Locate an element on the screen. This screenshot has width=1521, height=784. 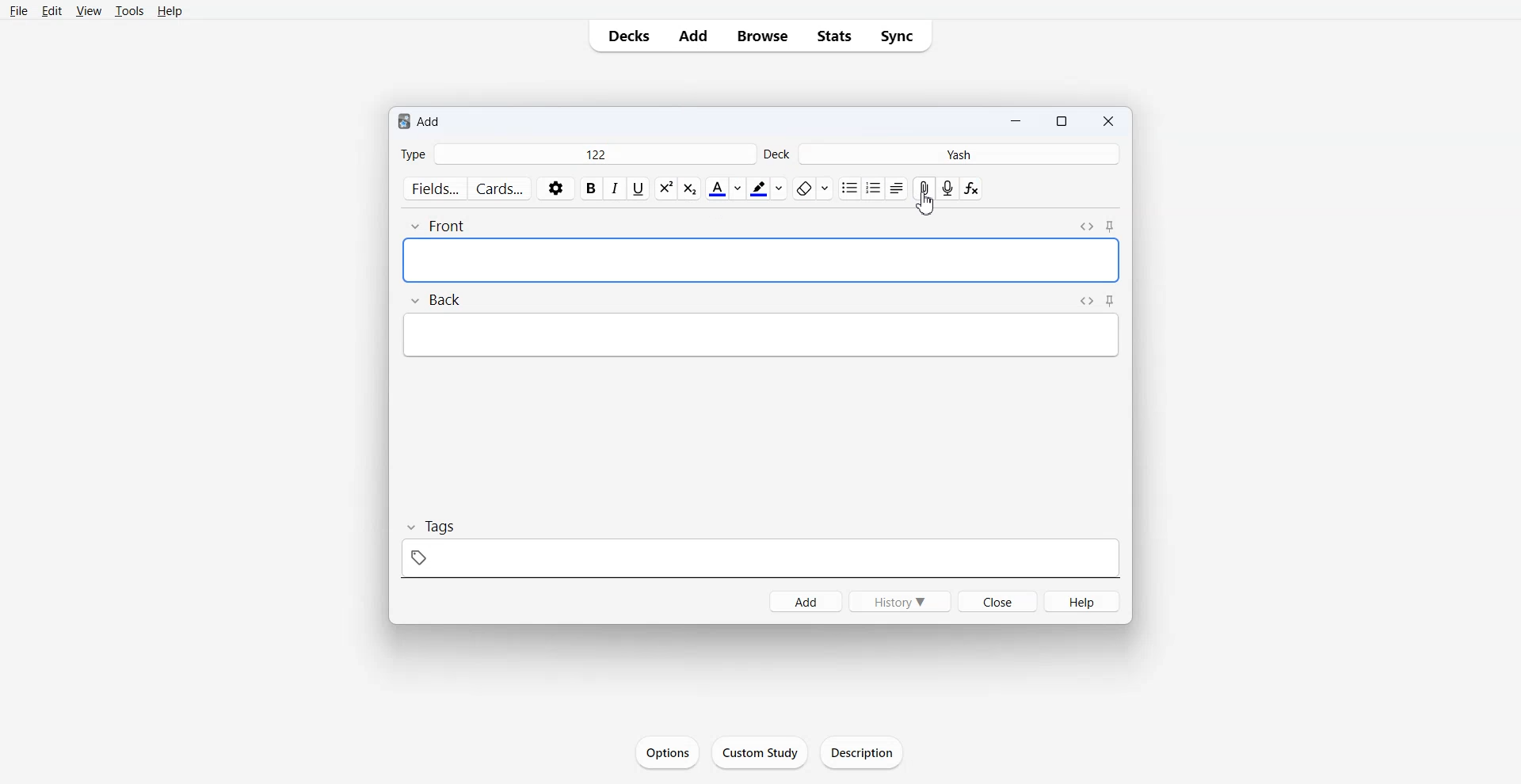
Toggle HTML is located at coordinates (1086, 301).